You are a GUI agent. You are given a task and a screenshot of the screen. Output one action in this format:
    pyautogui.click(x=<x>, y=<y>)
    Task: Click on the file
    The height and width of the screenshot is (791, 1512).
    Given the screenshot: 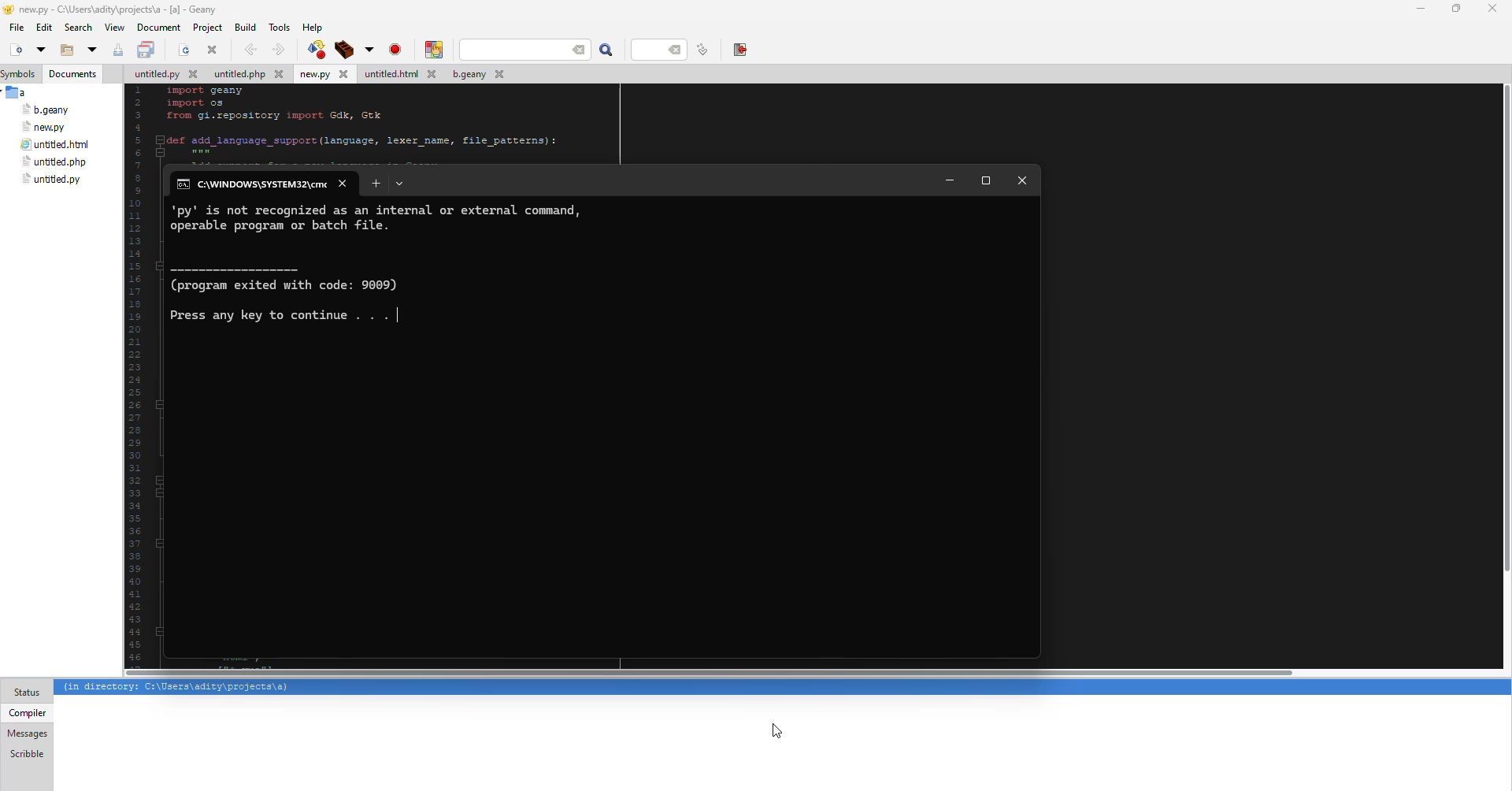 What is the action you would take?
    pyautogui.click(x=323, y=74)
    